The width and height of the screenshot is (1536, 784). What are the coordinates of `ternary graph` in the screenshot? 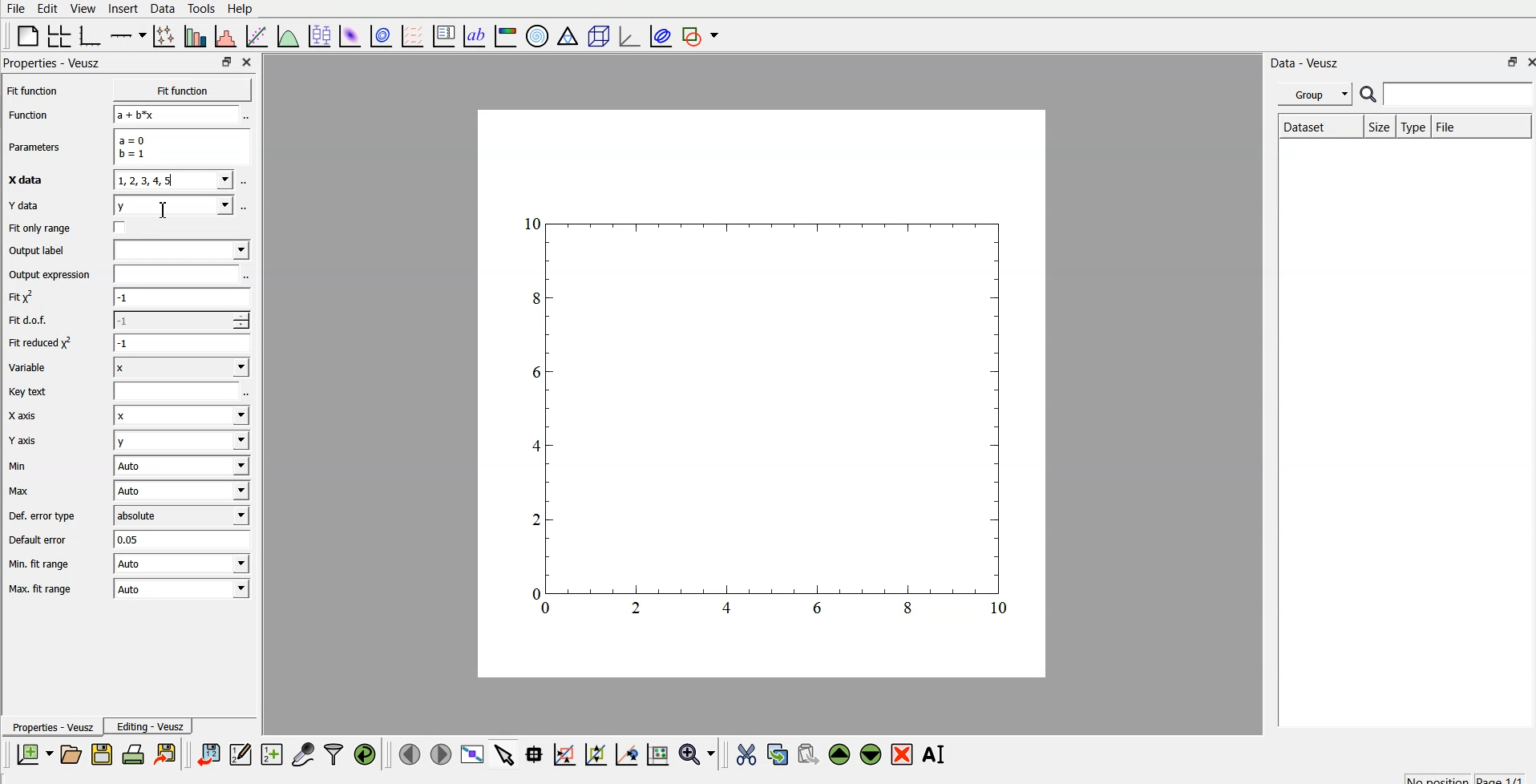 It's located at (568, 38).